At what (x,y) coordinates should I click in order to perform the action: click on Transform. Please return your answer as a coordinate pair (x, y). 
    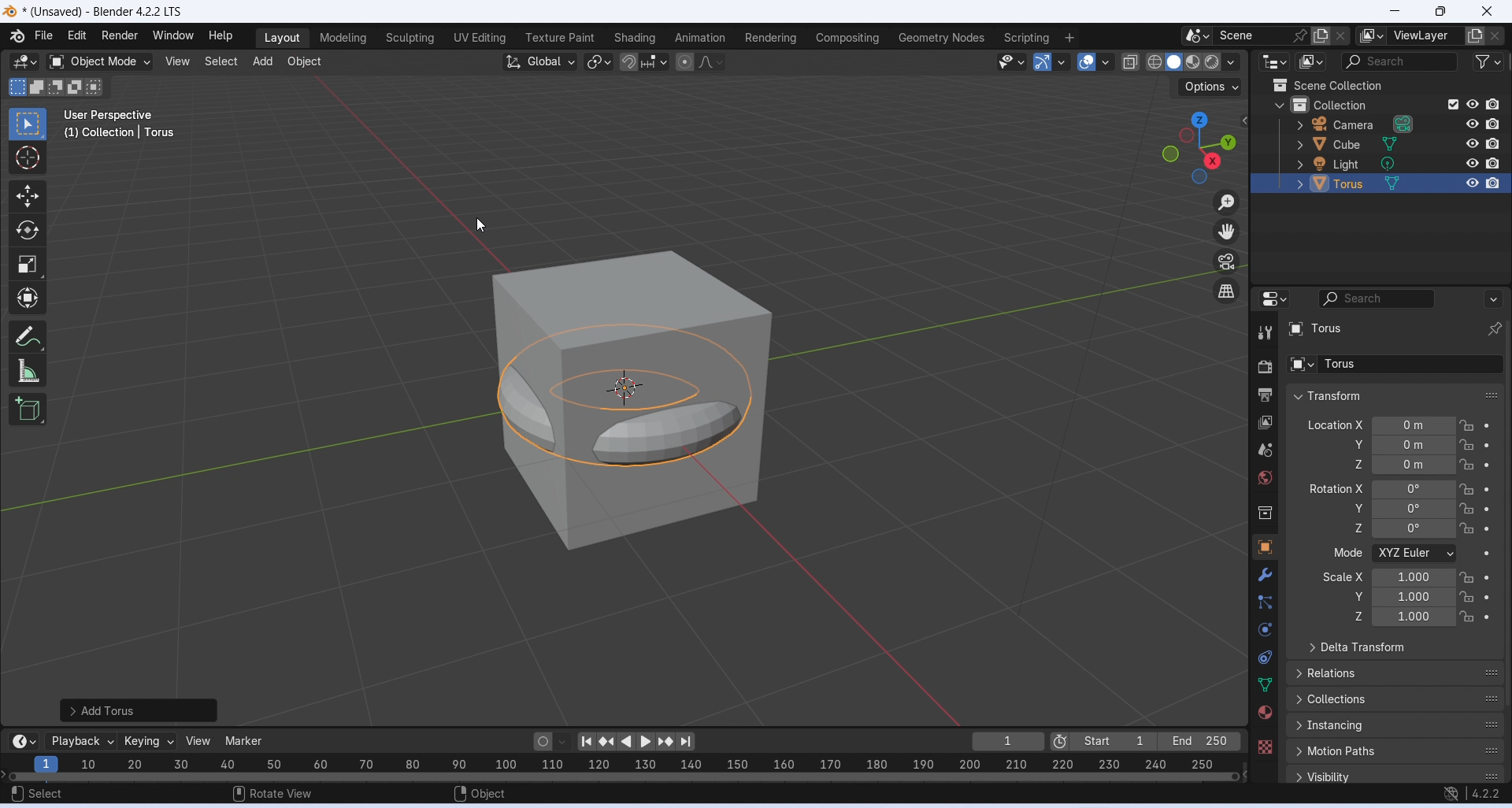
    Looking at the image, I should click on (1325, 396).